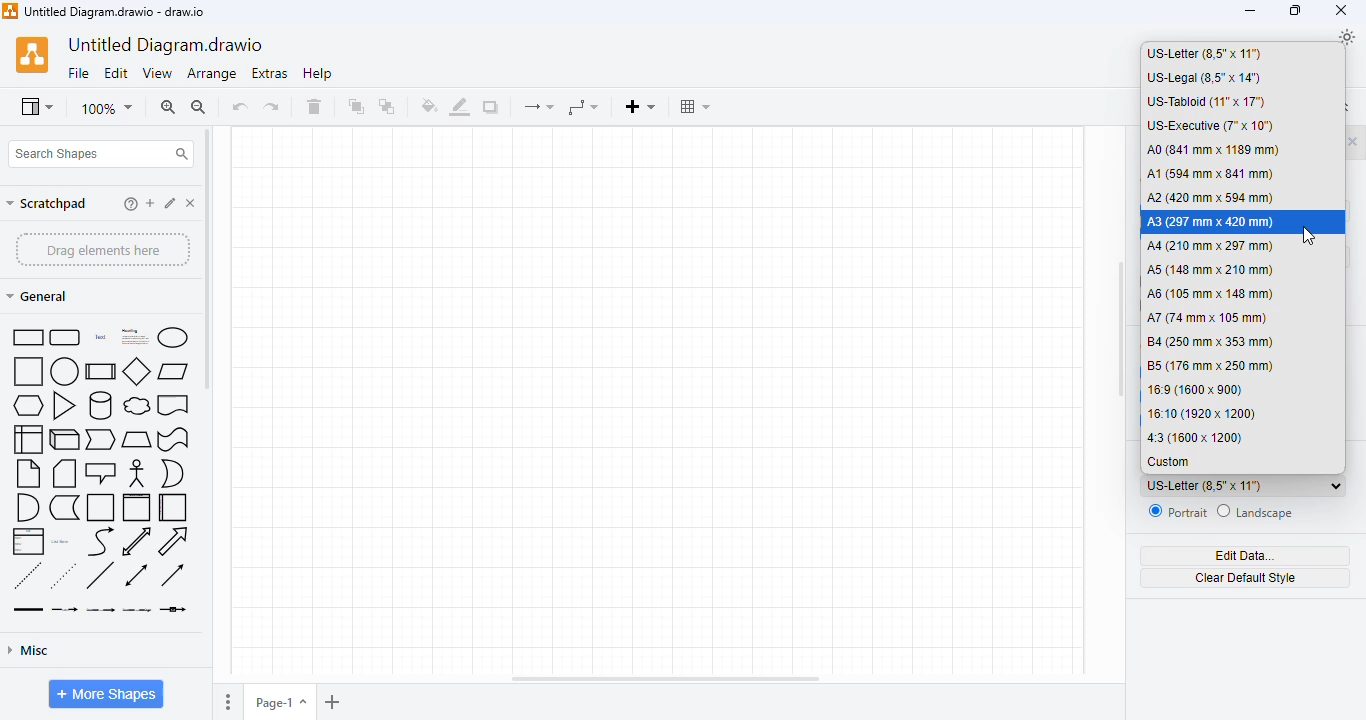 This screenshot has height=720, width=1366. Describe the element at coordinates (1211, 366) in the screenshot. I see `B5` at that location.